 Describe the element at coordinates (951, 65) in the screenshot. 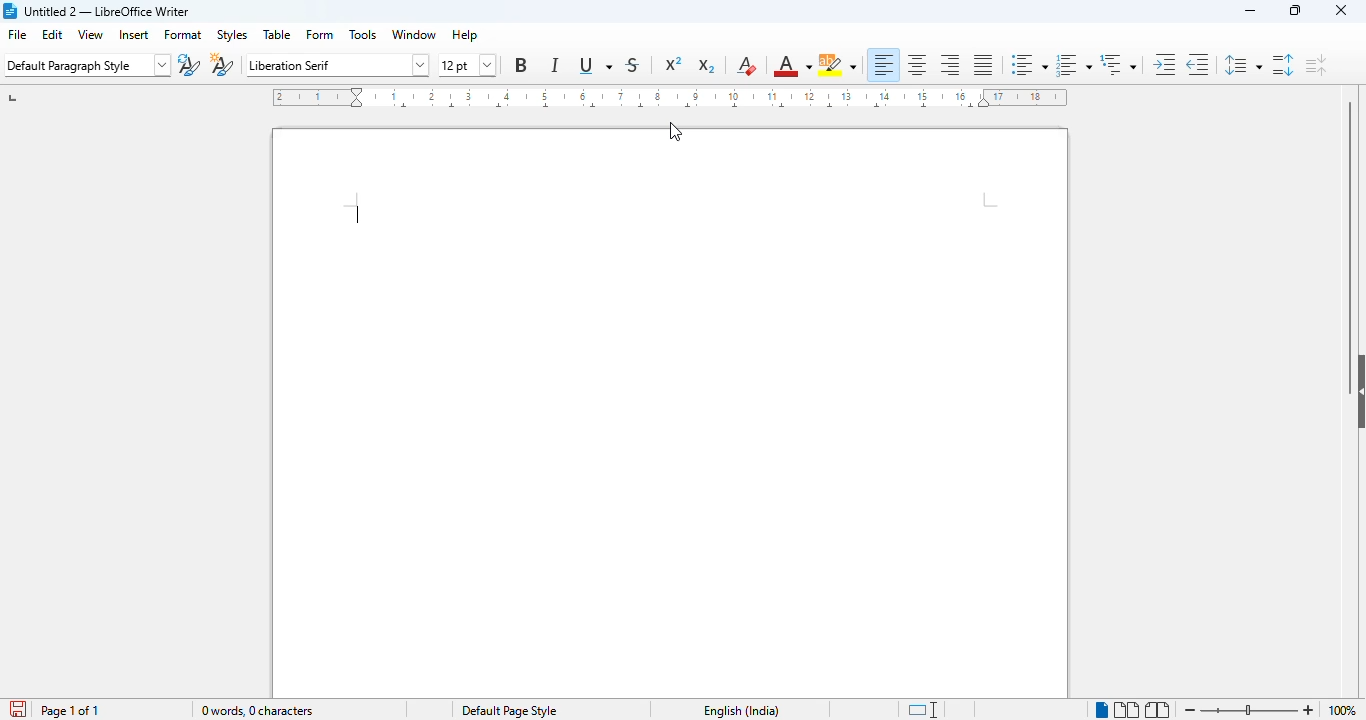

I see `align right` at that location.